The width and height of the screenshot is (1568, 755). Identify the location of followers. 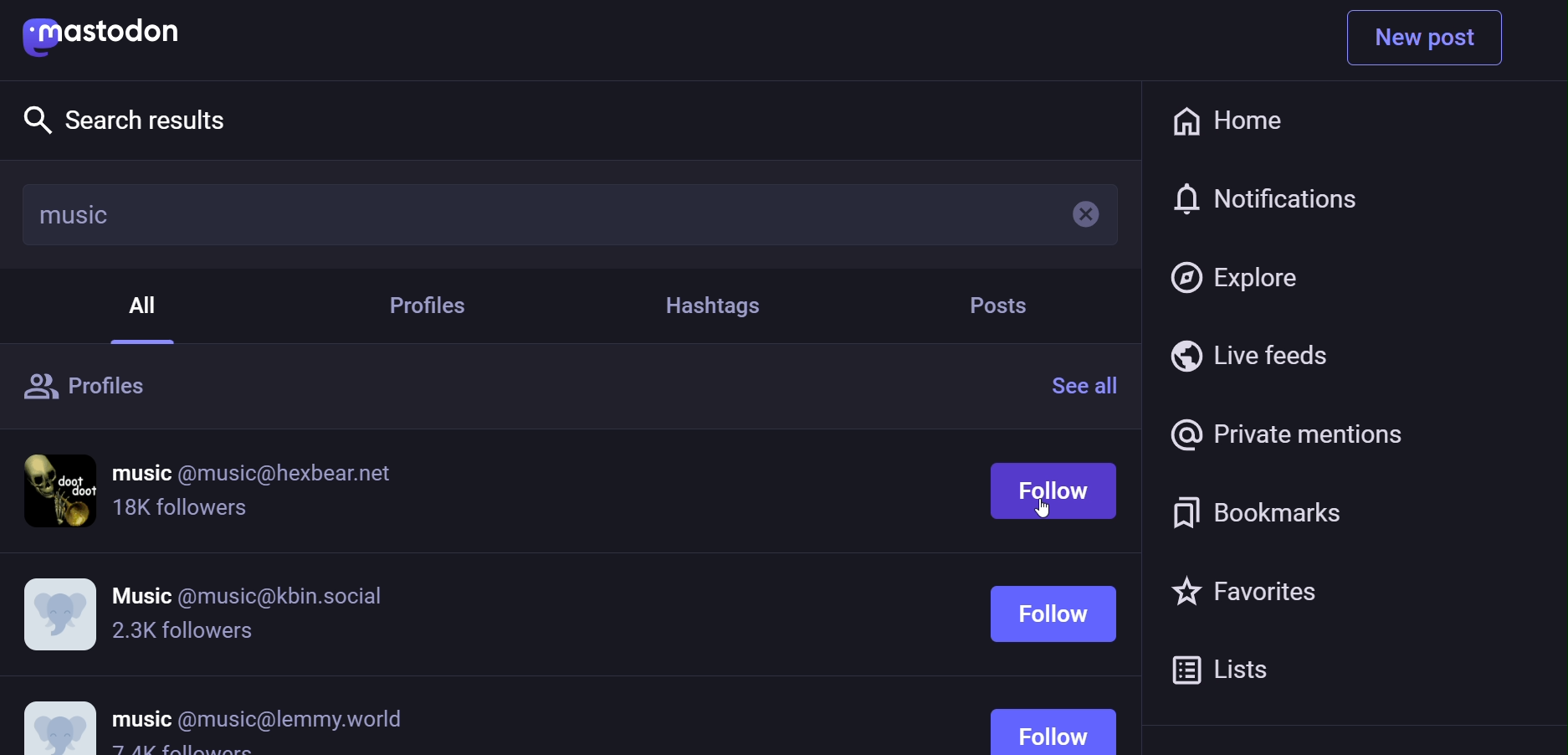
(182, 512).